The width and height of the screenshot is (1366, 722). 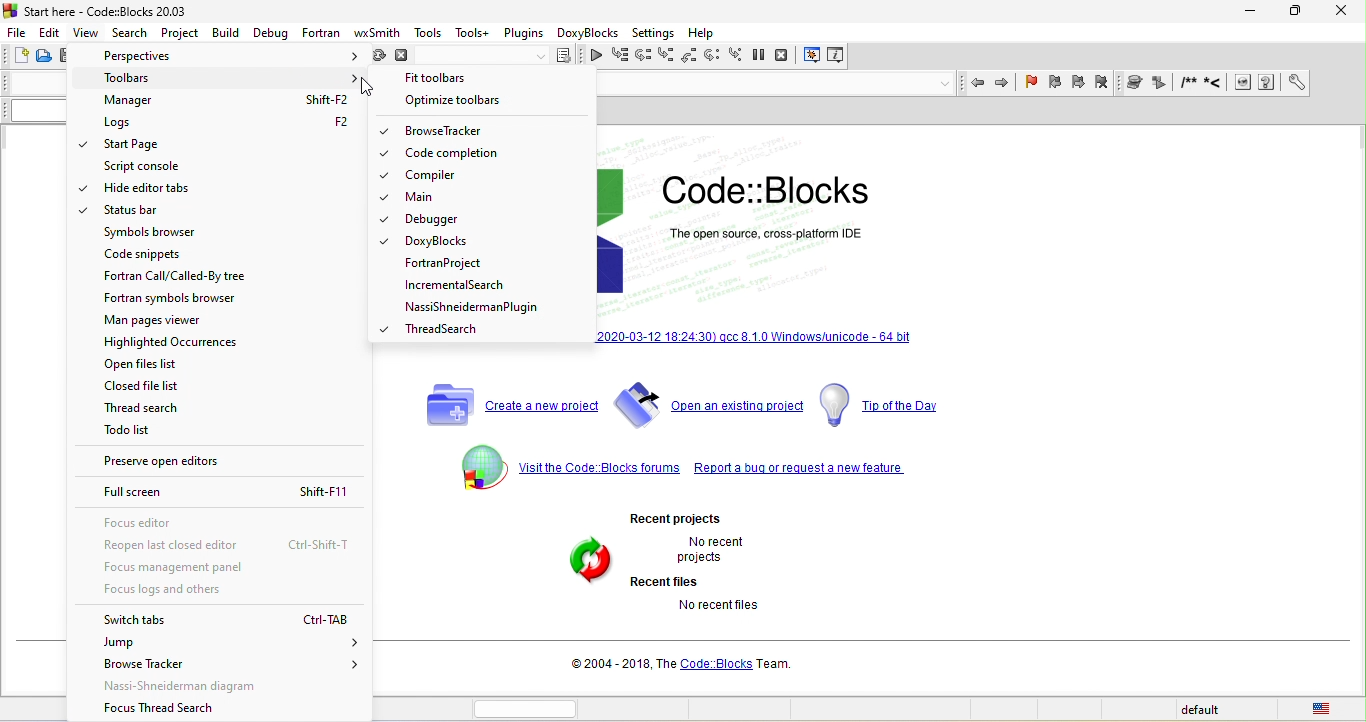 What do you see at coordinates (471, 31) in the screenshot?
I see `tools+` at bounding box center [471, 31].